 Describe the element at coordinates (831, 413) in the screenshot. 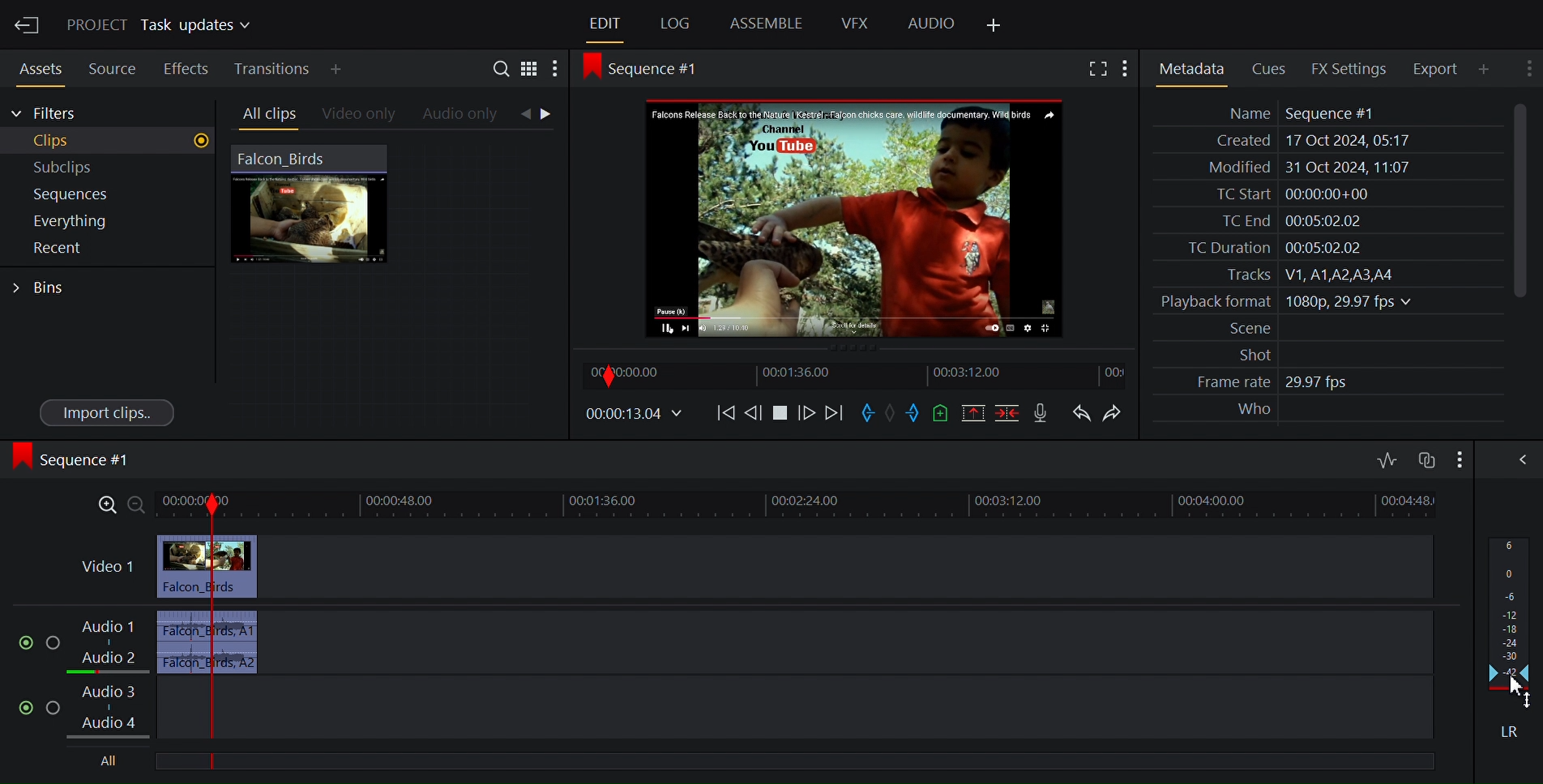

I see `Move Forward` at that location.